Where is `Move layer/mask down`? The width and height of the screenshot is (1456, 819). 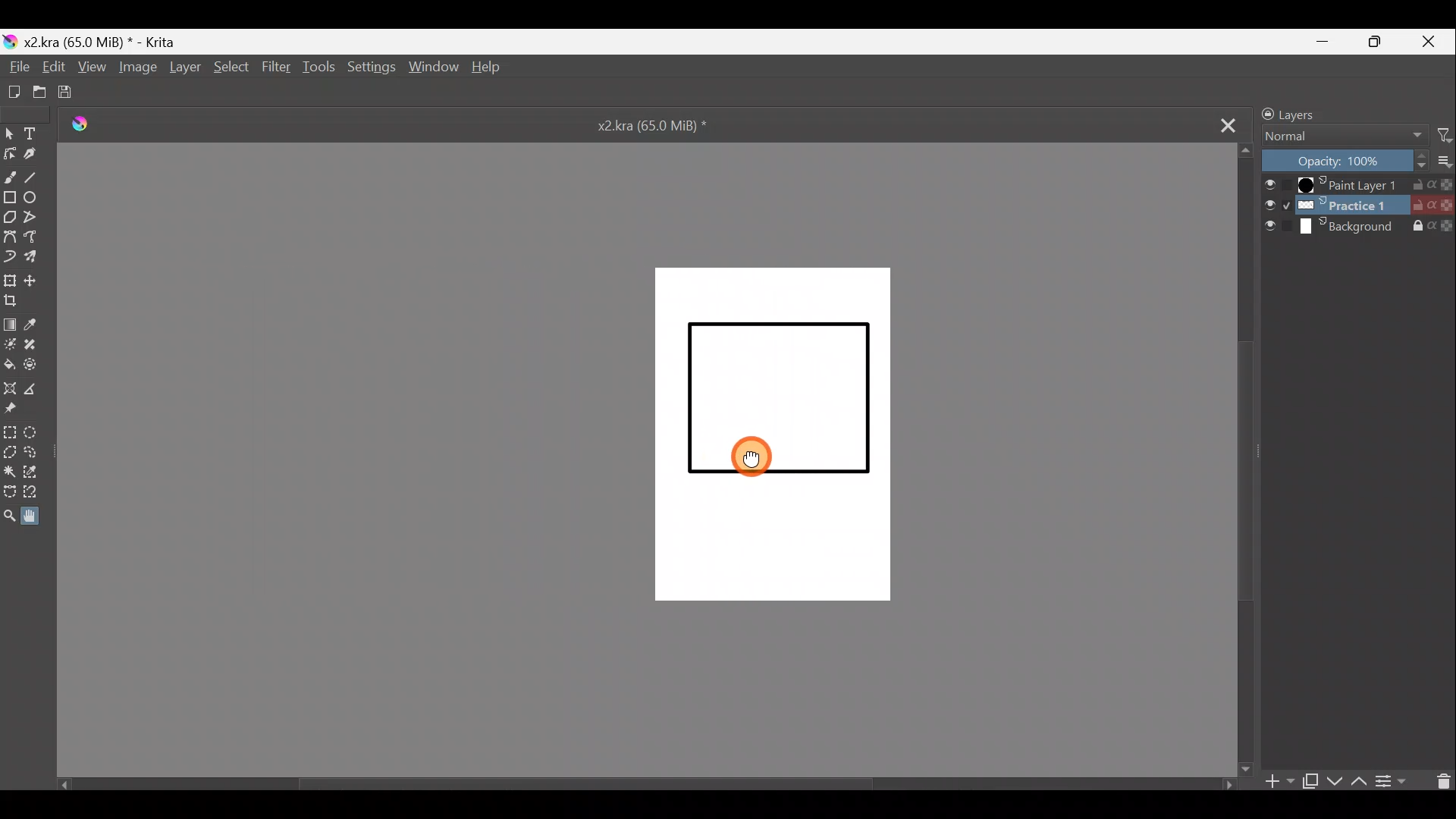
Move layer/mask down is located at coordinates (1332, 781).